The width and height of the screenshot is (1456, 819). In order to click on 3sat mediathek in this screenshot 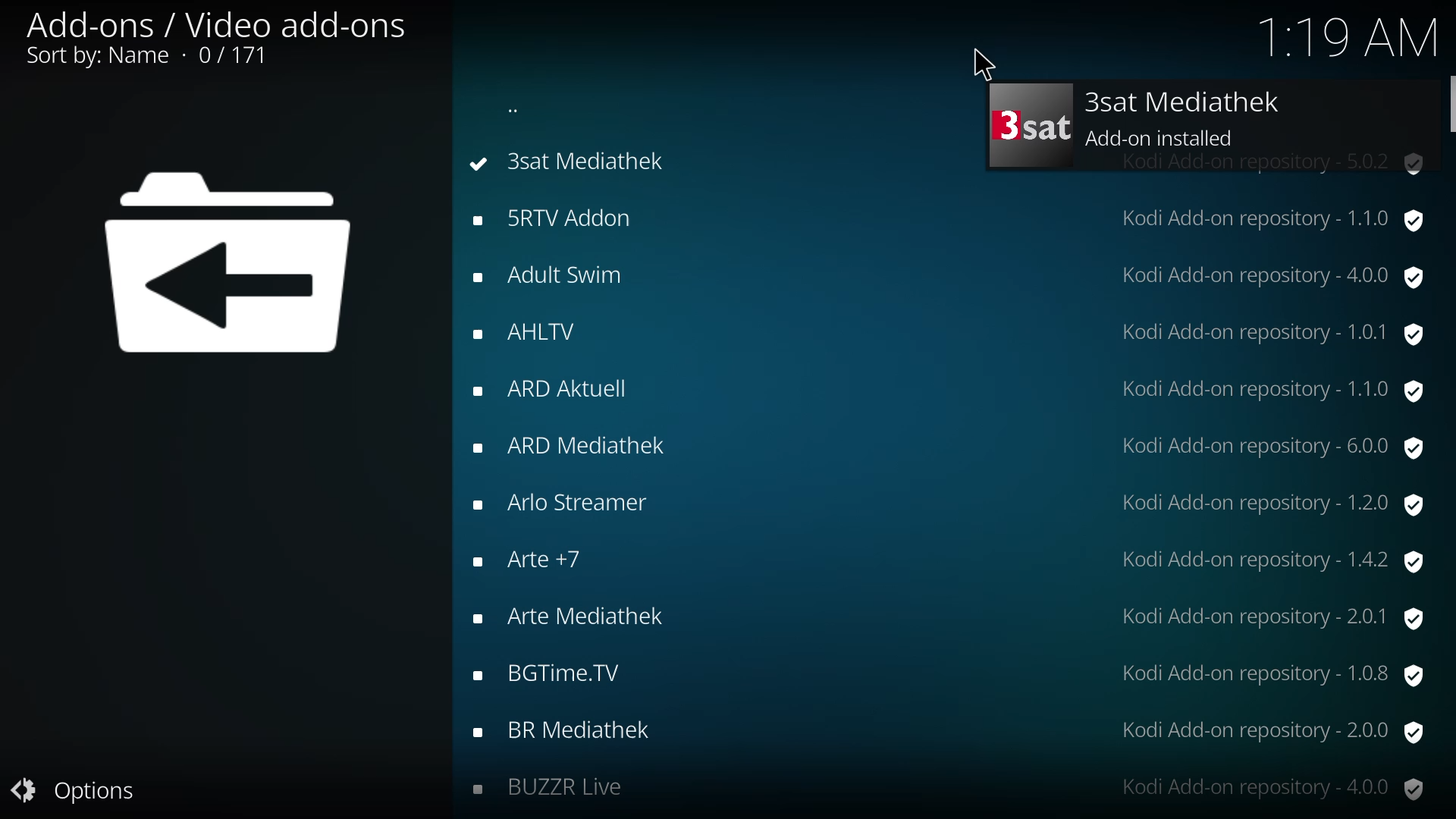, I will do `click(572, 160)`.